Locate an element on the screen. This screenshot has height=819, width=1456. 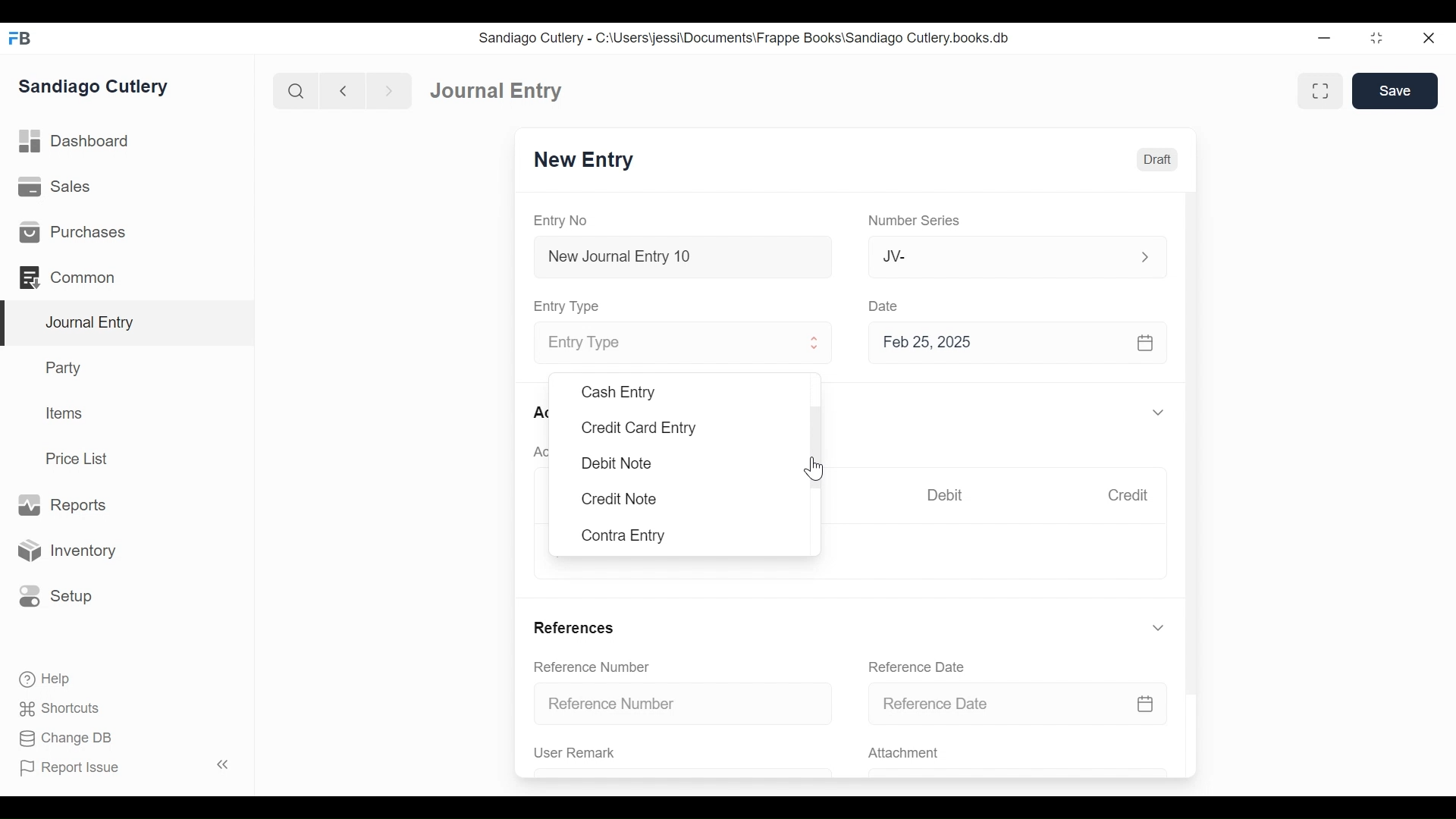
Search is located at coordinates (297, 90).